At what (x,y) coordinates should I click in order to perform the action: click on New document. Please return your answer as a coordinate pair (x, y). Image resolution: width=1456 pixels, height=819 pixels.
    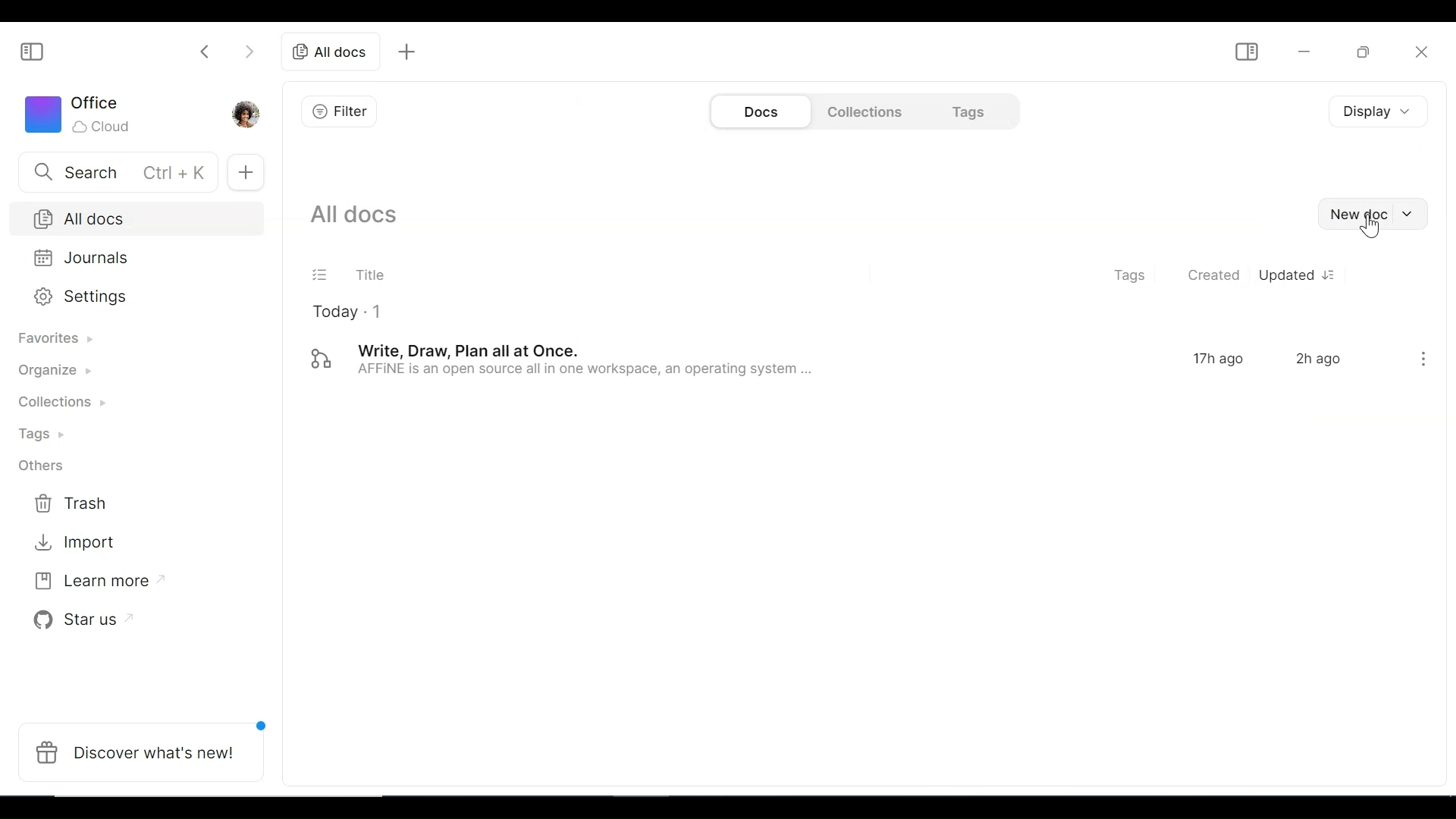
    Looking at the image, I should click on (1373, 214).